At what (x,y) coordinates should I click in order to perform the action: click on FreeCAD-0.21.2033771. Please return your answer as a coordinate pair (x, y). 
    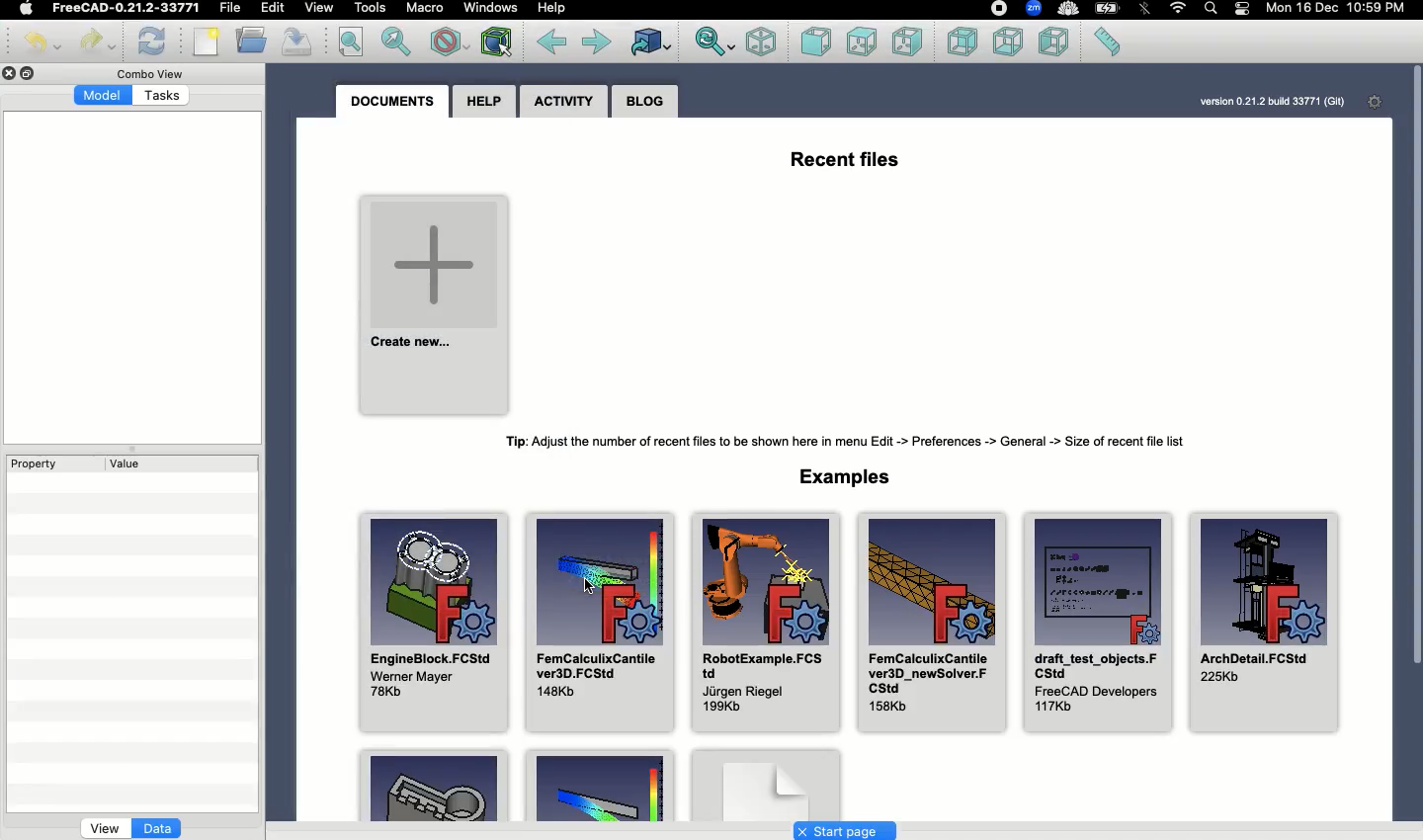
    Looking at the image, I should click on (126, 8).